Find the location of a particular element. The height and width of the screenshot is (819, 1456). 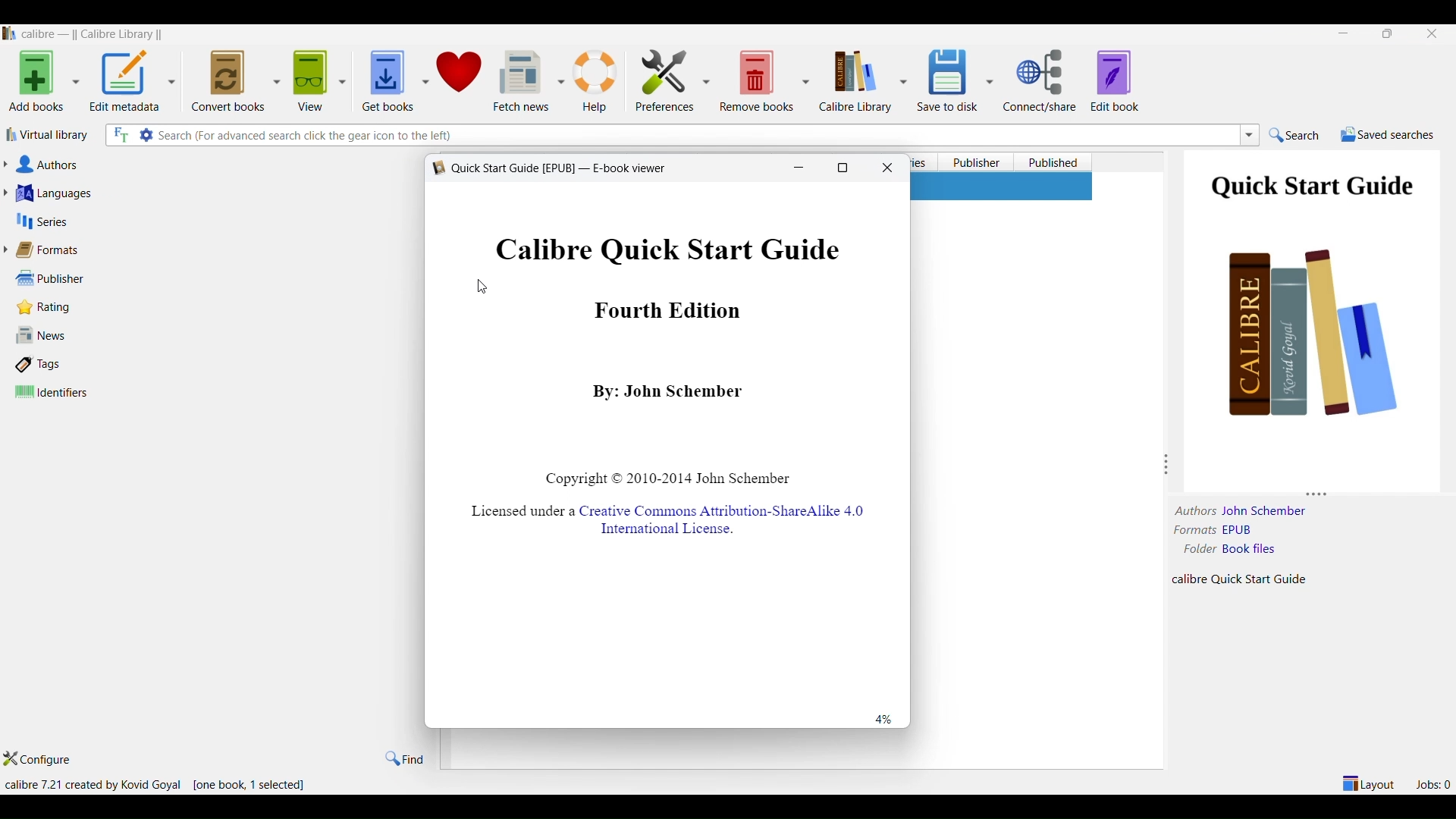

search box is located at coordinates (696, 134).